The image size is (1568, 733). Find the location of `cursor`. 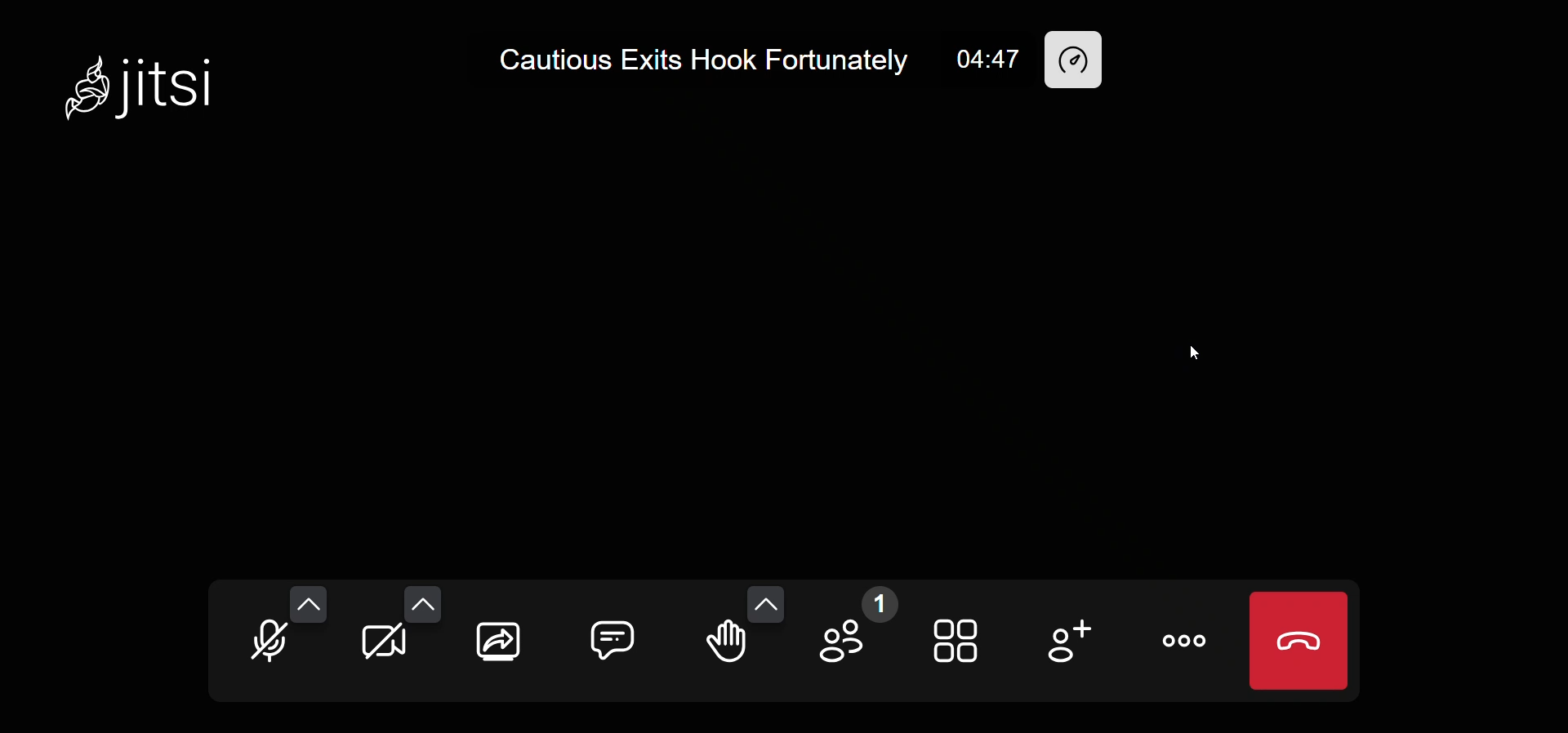

cursor is located at coordinates (1186, 349).